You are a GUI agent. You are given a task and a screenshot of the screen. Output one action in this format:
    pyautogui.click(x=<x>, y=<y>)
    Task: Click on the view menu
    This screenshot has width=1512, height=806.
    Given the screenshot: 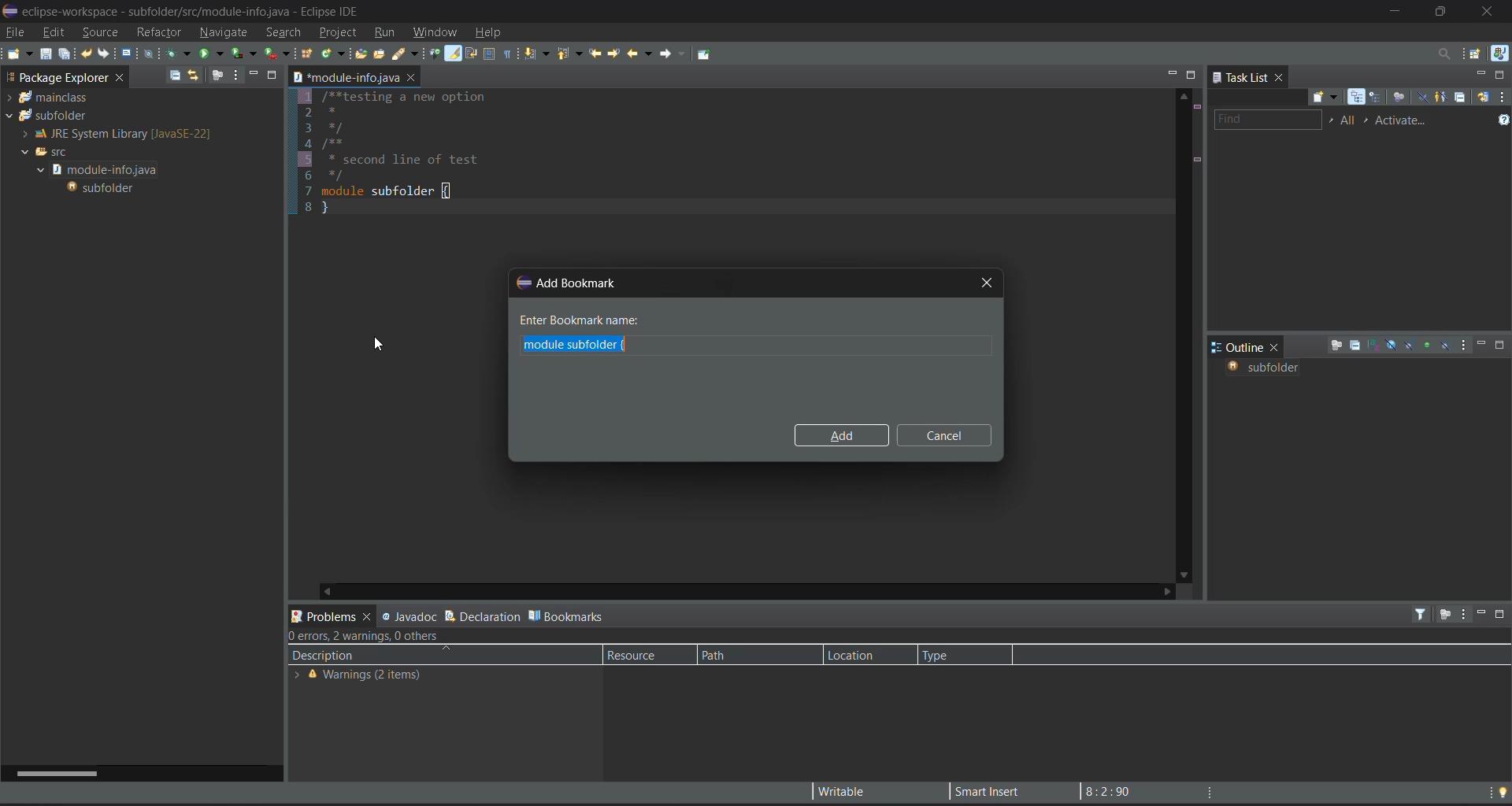 What is the action you would take?
    pyautogui.click(x=1463, y=615)
    